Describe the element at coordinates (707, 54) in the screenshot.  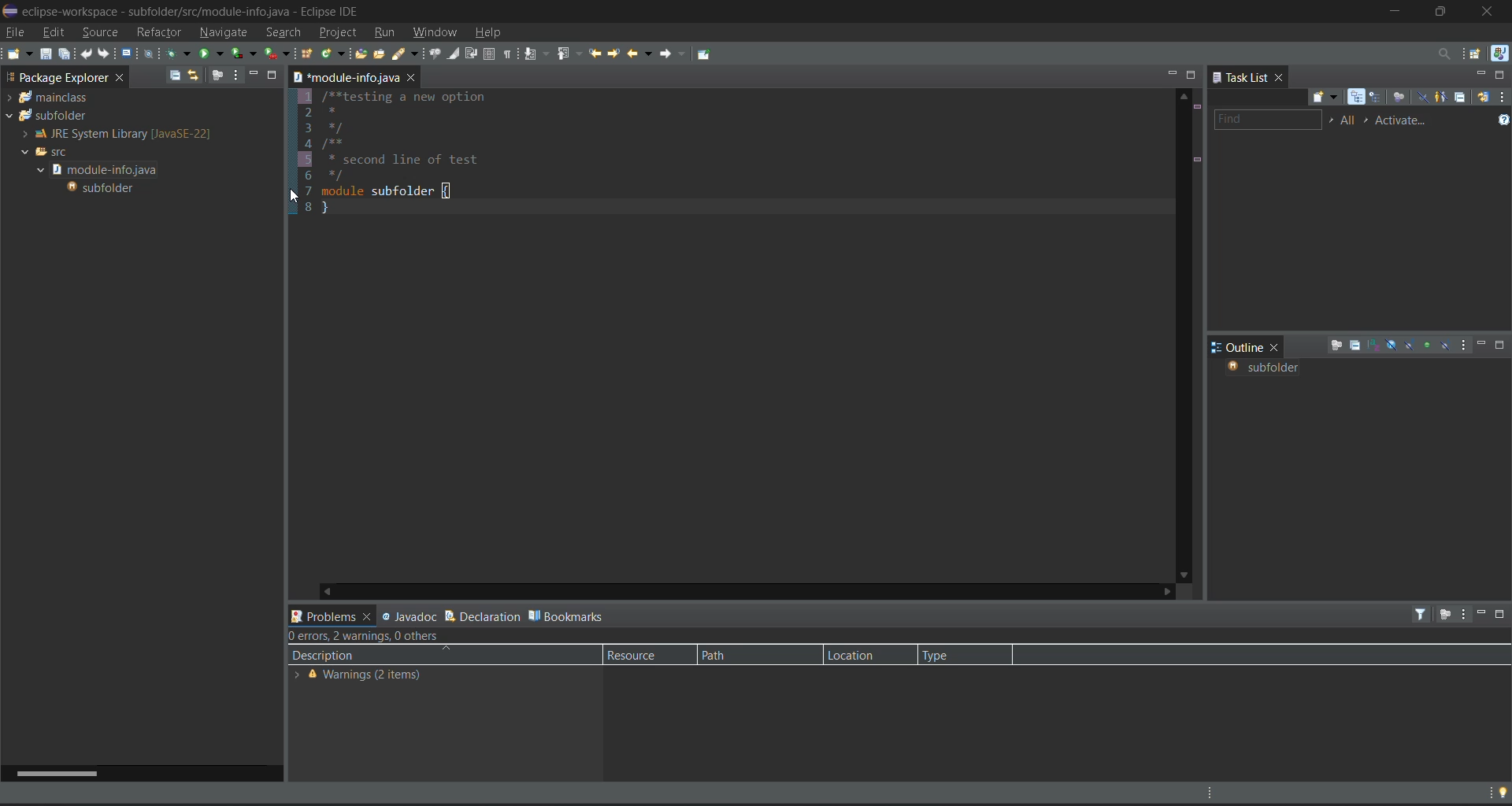
I see `pin editor` at that location.